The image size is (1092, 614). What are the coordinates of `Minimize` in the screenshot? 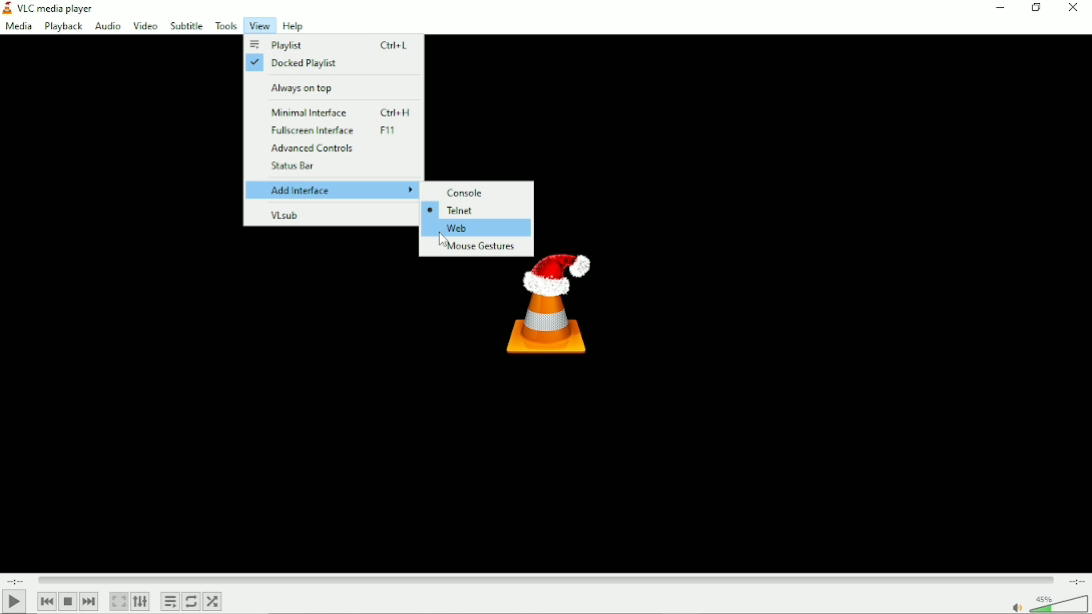 It's located at (1004, 8).